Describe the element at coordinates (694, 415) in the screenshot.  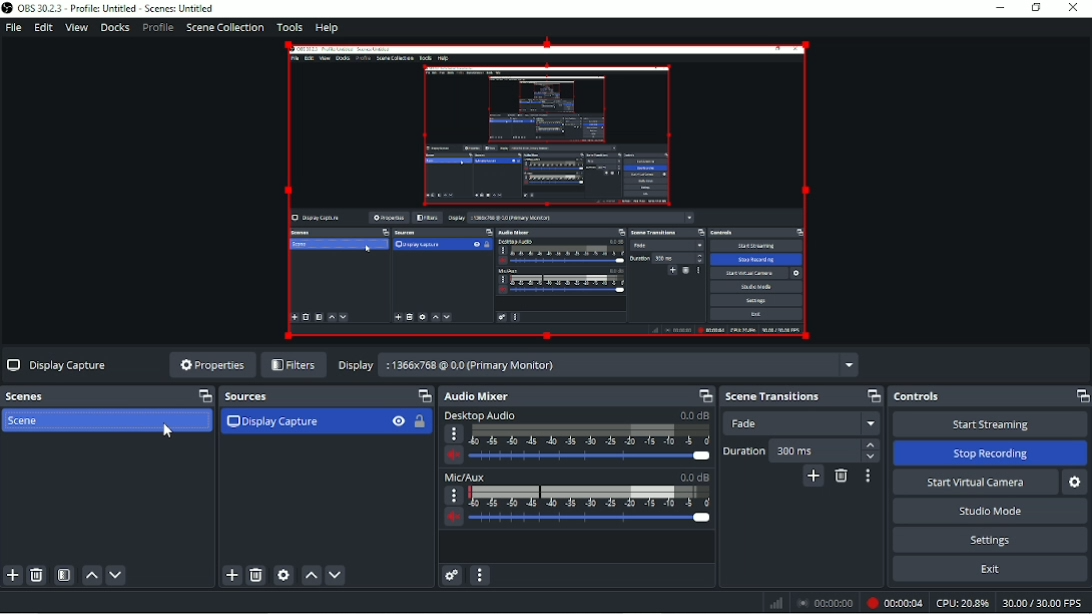
I see `0.0 dB` at that location.